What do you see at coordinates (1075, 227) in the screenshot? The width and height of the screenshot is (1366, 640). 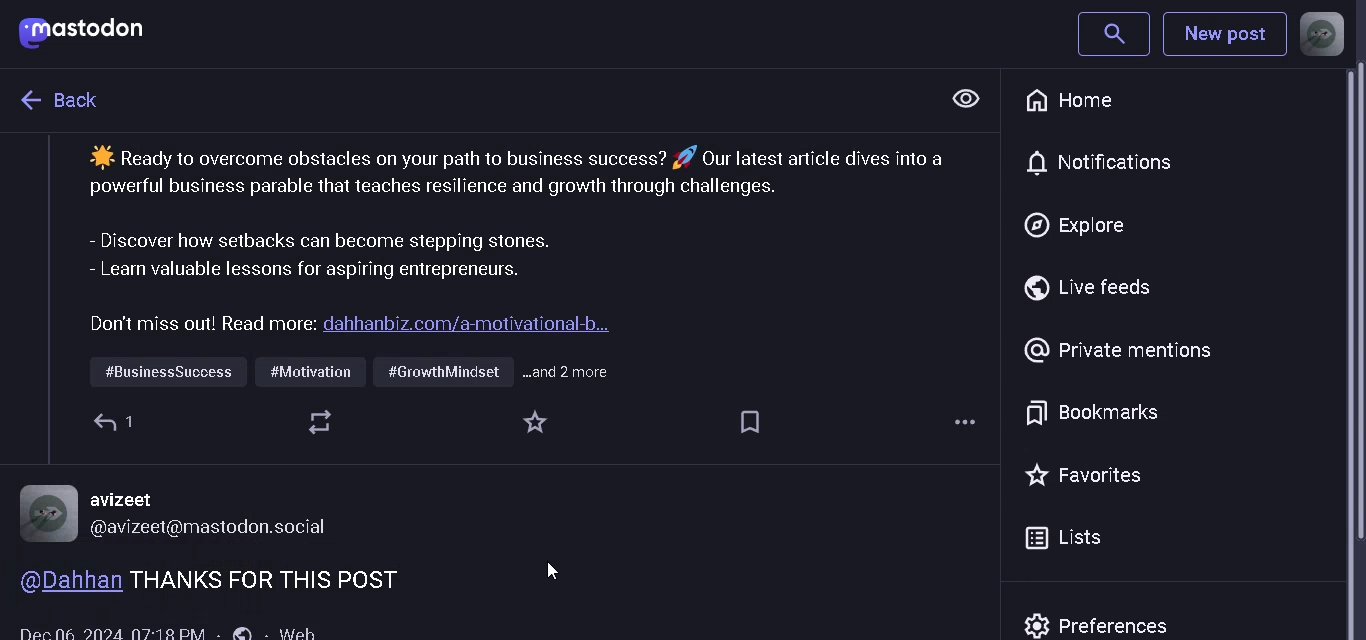 I see `explore` at bounding box center [1075, 227].